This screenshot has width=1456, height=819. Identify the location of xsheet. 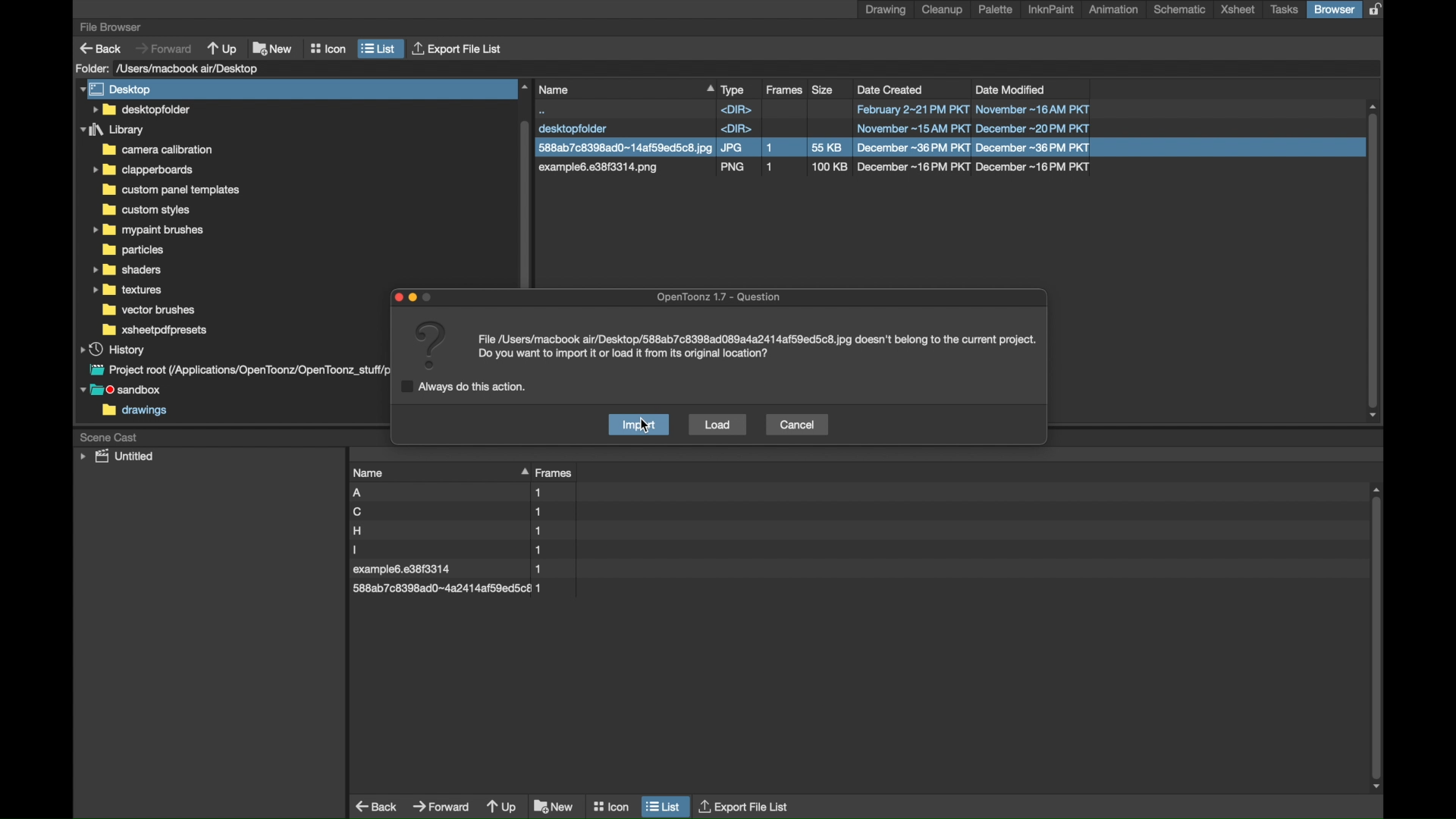
(1238, 10).